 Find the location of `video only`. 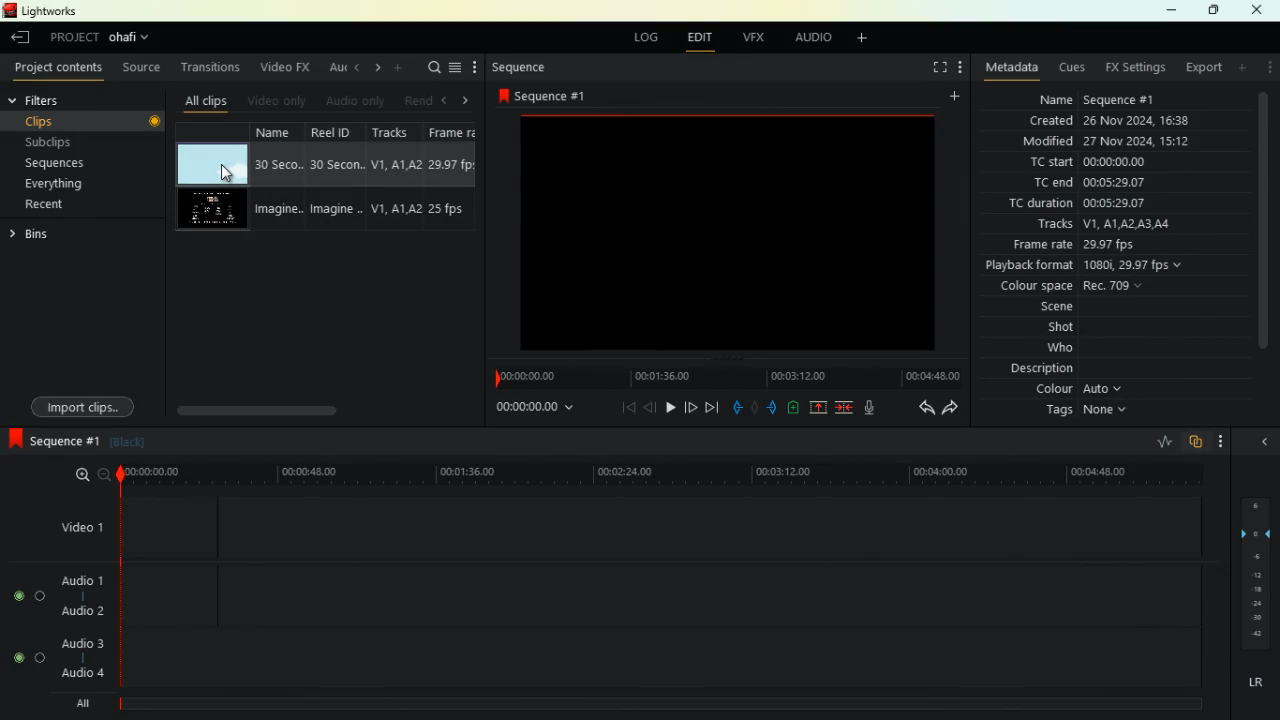

video only is located at coordinates (283, 101).